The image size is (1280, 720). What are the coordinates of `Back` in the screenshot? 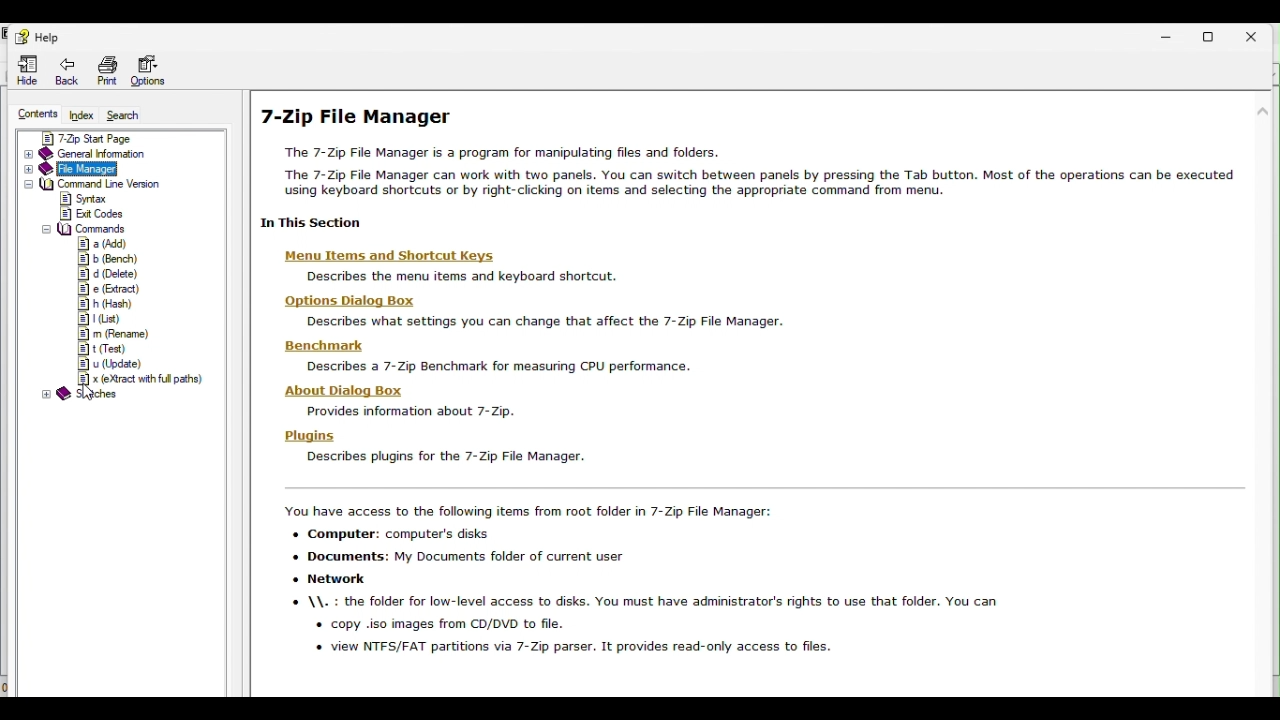 It's located at (68, 74).